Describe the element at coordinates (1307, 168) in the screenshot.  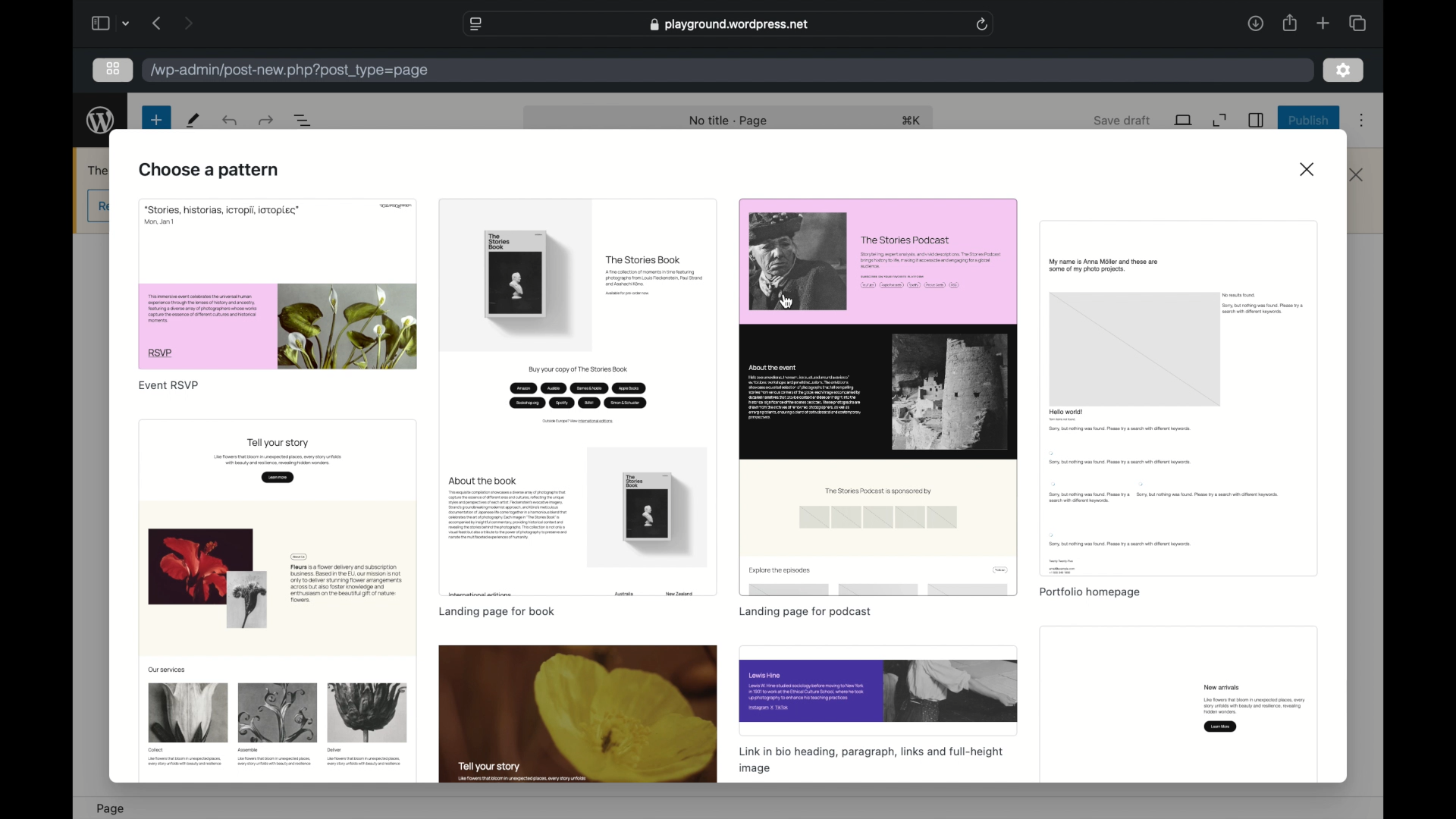
I see `close` at that location.